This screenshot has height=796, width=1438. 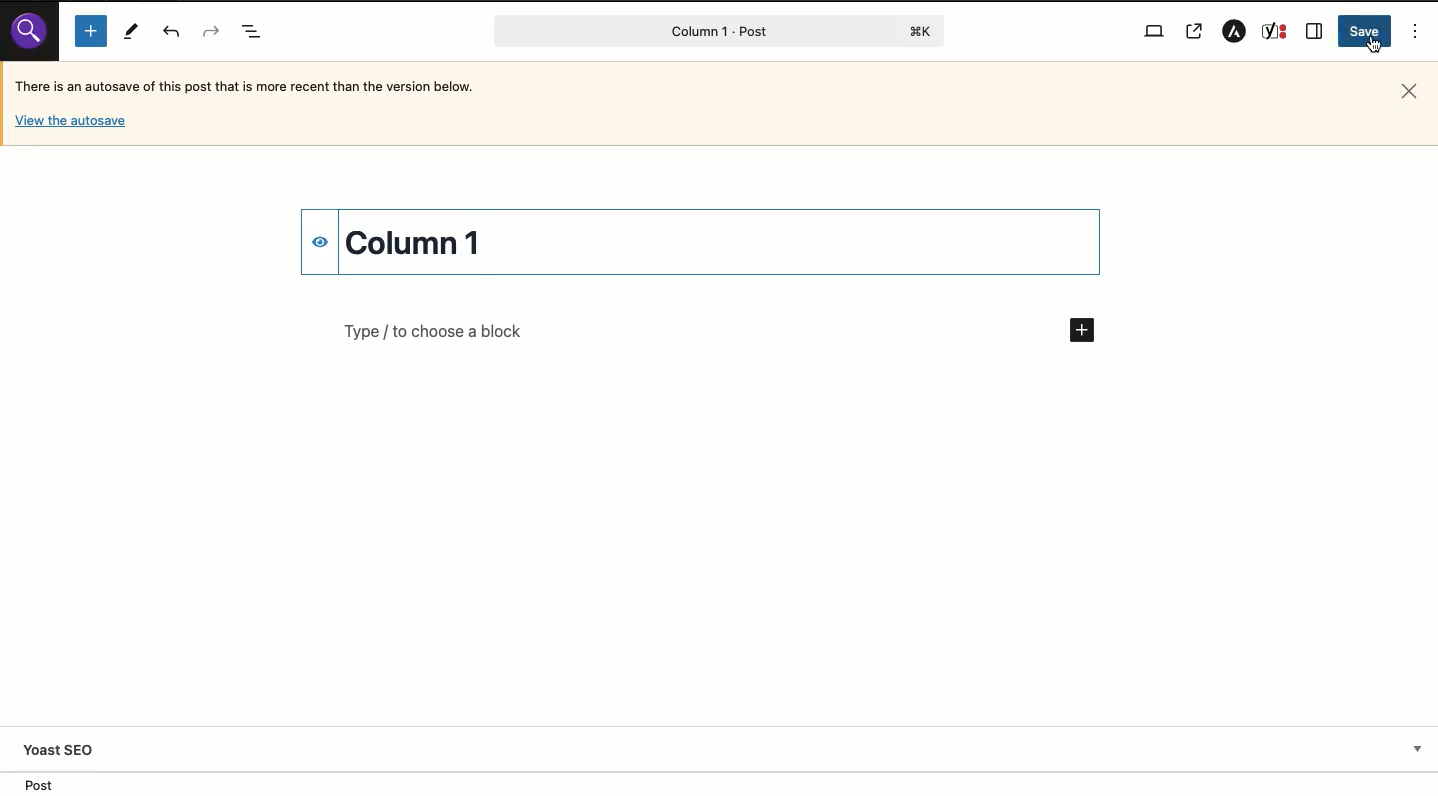 What do you see at coordinates (1406, 92) in the screenshot?
I see `Close` at bounding box center [1406, 92].